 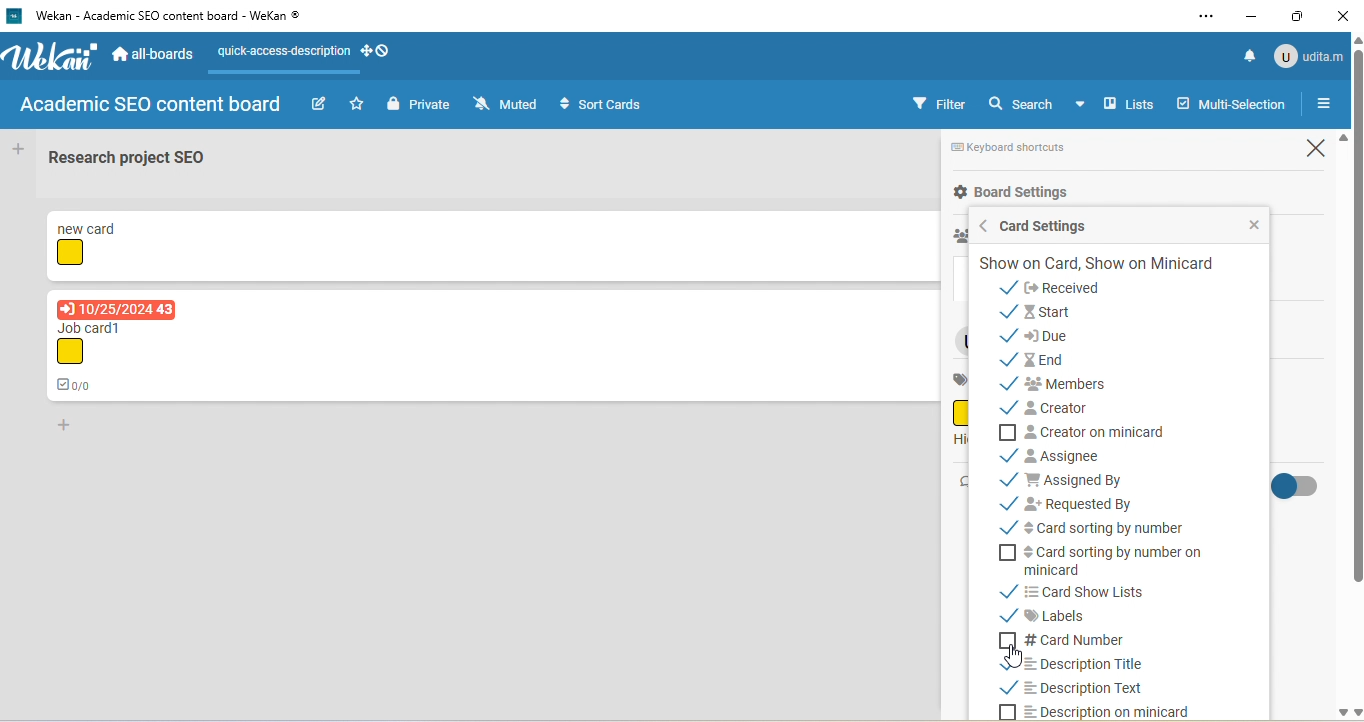 I want to click on ‘Wekan - Academic SEO content board - WeKan ©, so click(x=176, y=16).